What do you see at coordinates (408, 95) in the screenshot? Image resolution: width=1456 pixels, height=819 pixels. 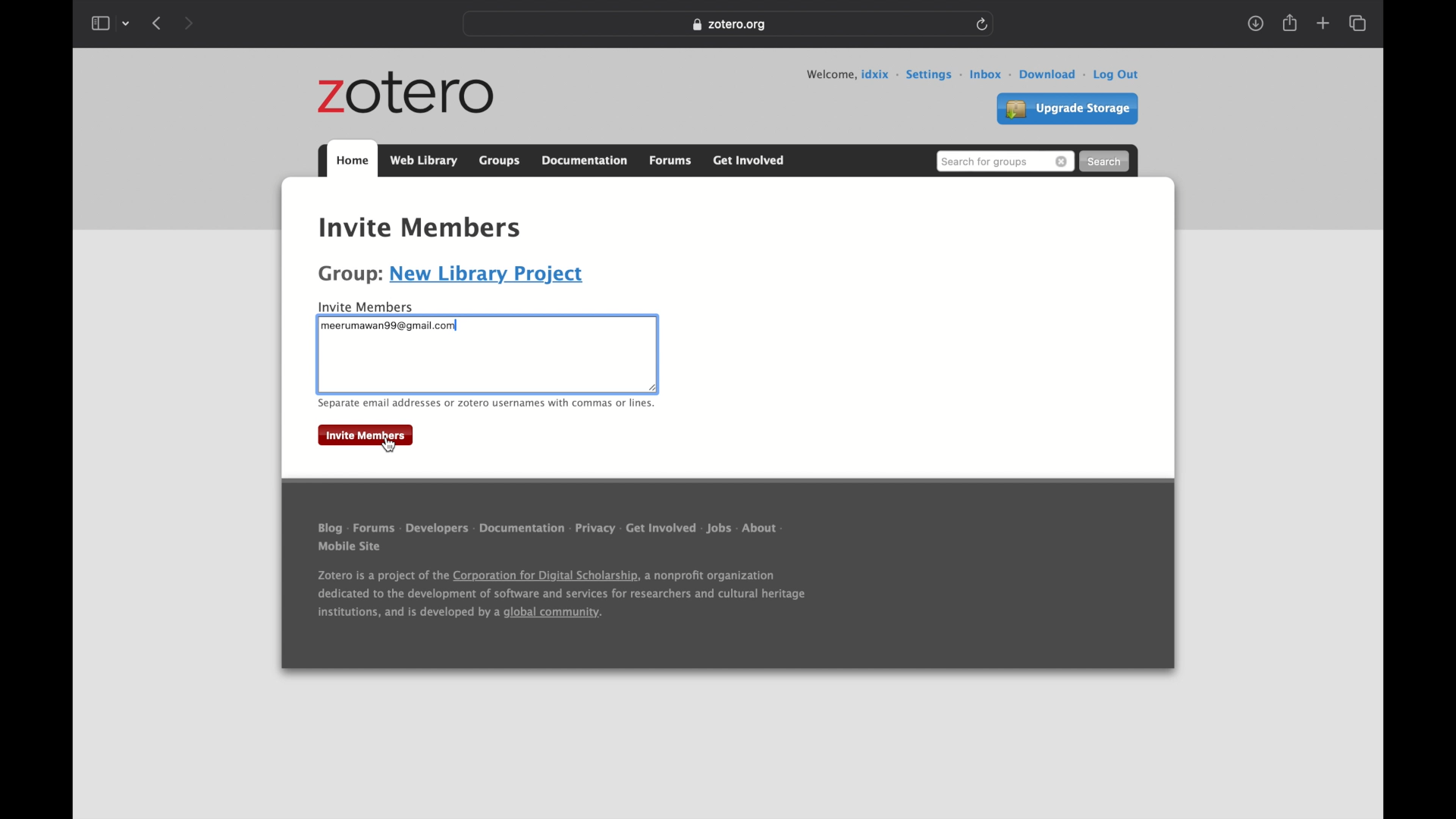 I see `zotero` at bounding box center [408, 95].